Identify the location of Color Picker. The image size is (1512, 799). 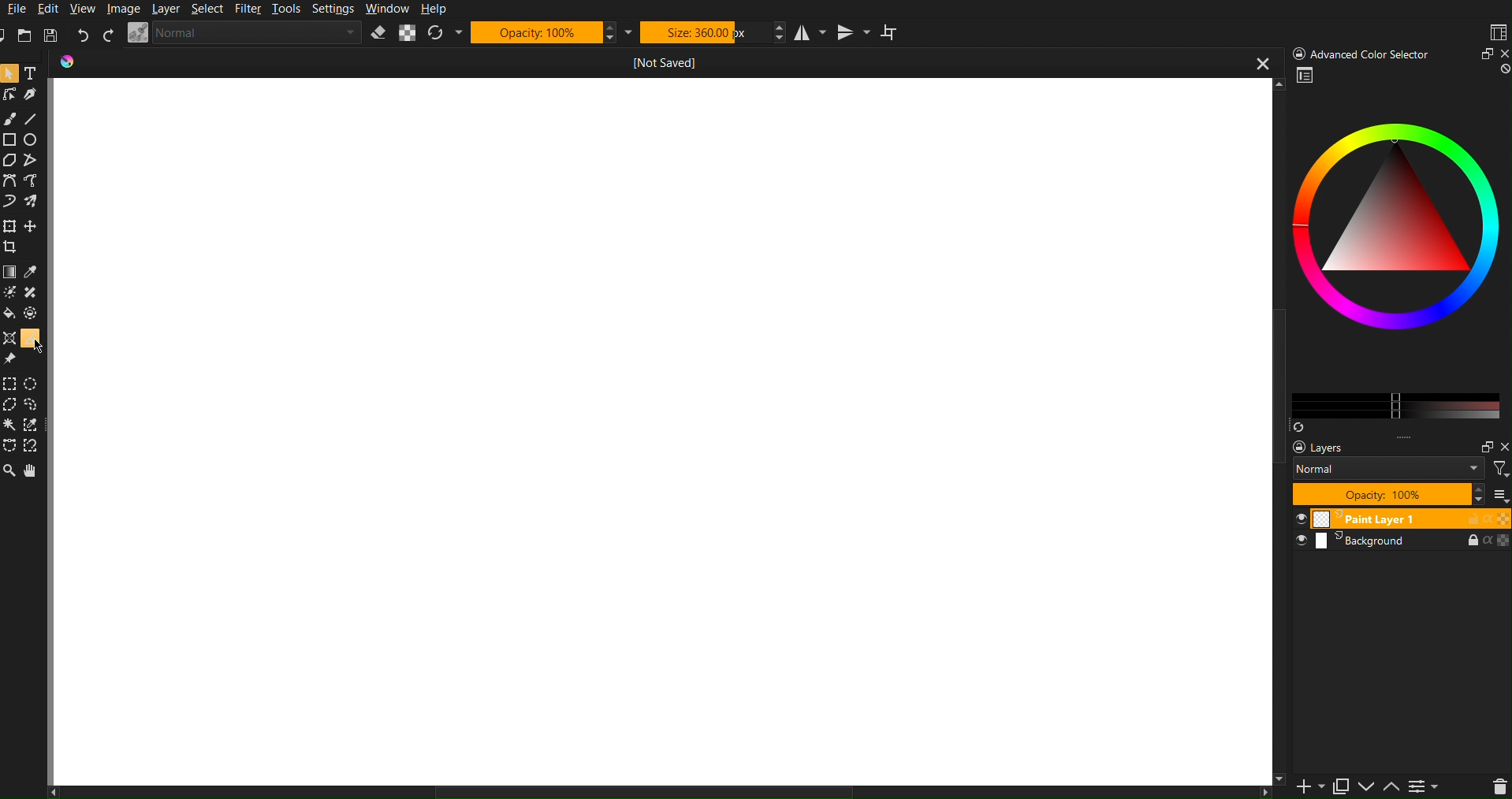
(33, 272).